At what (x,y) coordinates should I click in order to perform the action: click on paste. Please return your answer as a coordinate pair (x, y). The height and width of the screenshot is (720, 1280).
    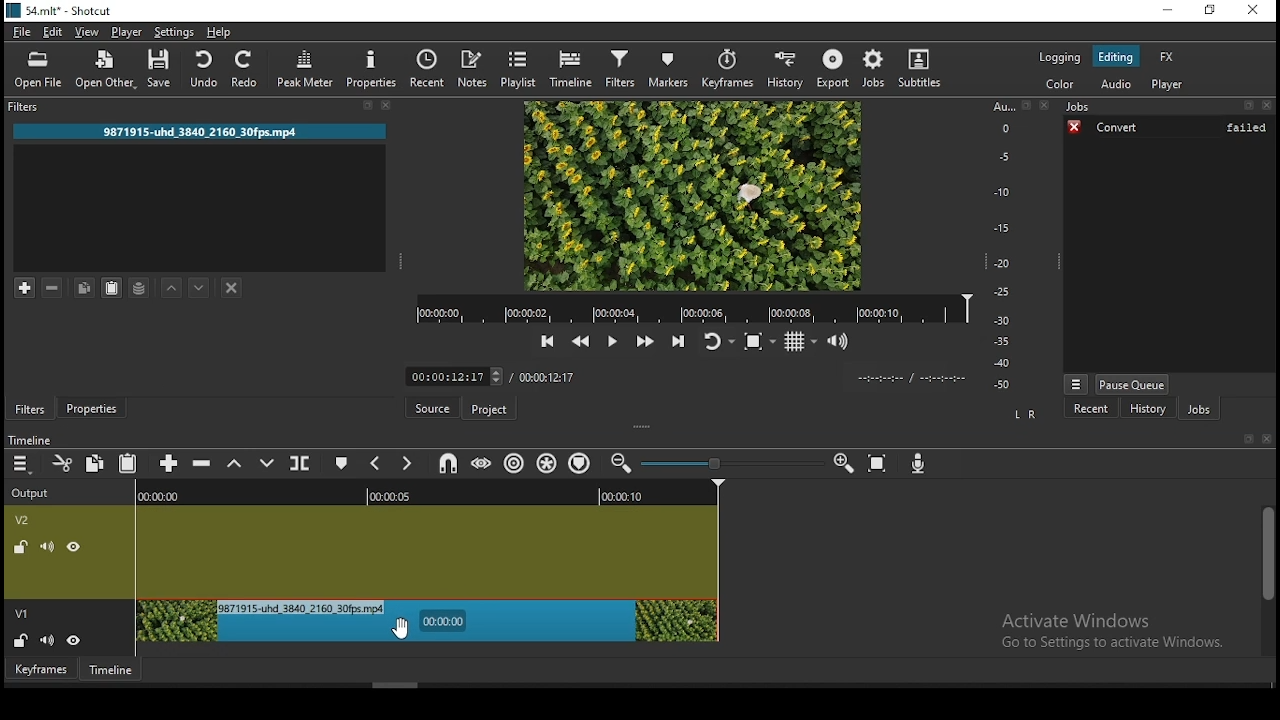
    Looking at the image, I should click on (130, 460).